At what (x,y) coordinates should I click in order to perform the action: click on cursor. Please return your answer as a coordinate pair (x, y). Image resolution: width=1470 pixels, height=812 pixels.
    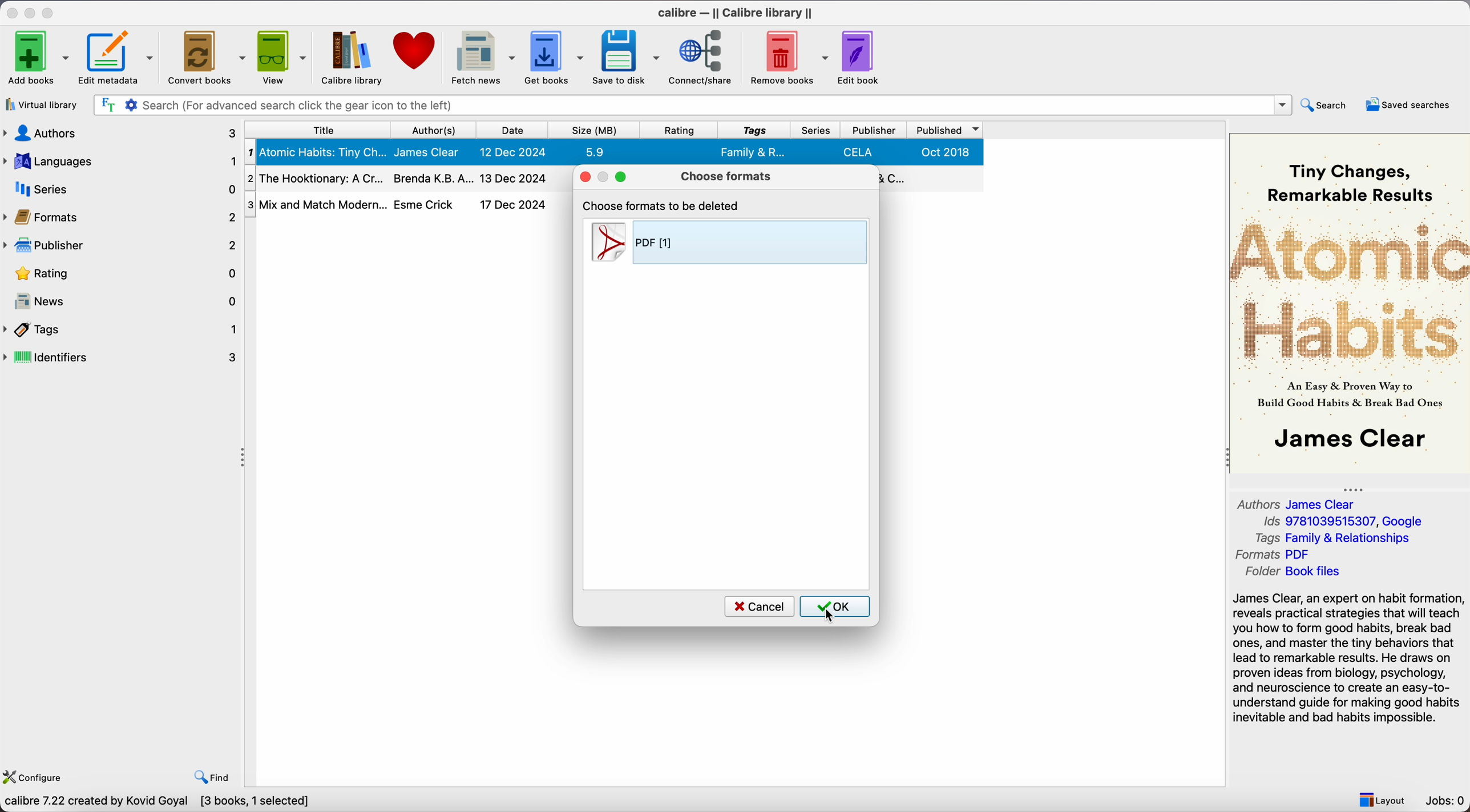
    Looking at the image, I should click on (827, 65).